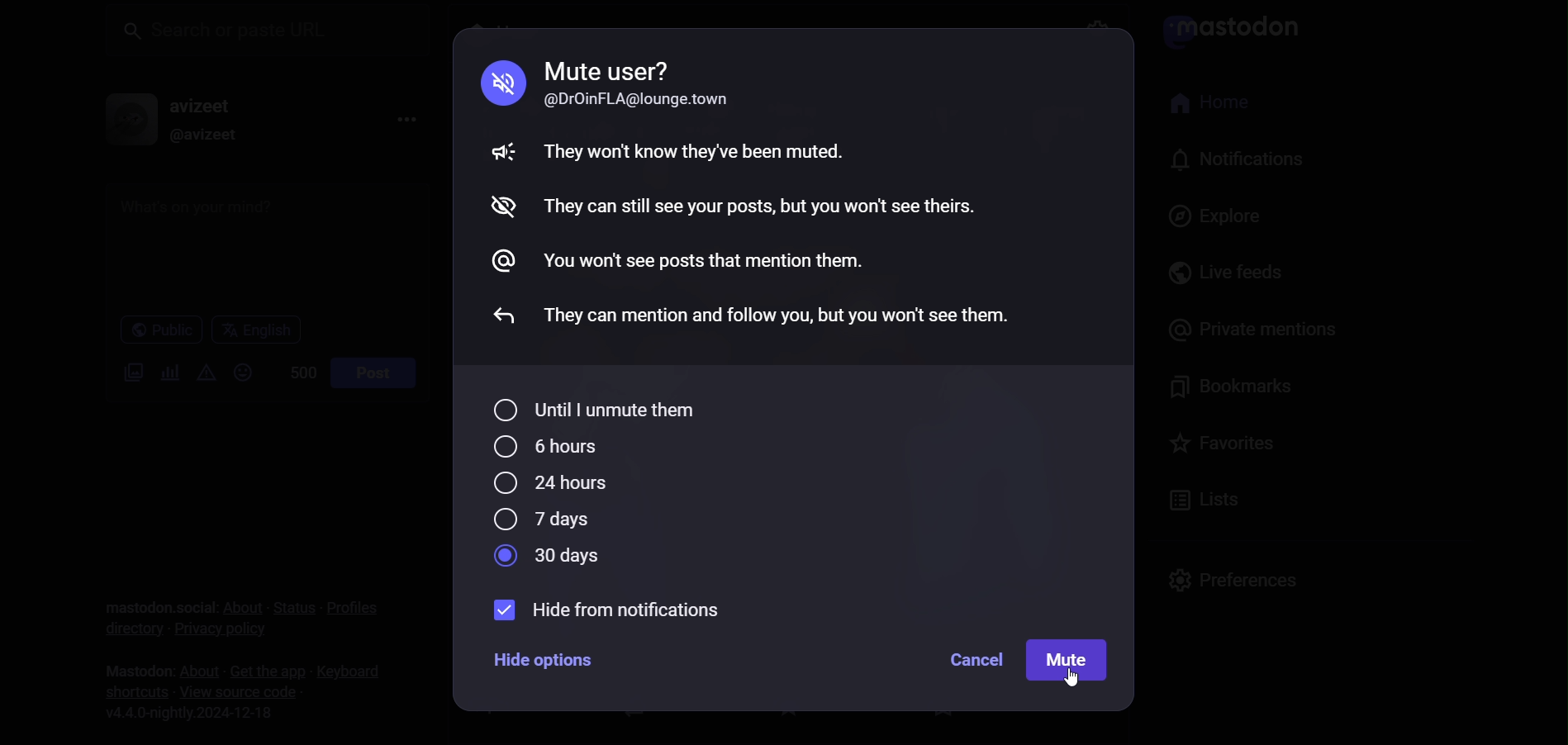 The height and width of the screenshot is (745, 1568). Describe the element at coordinates (590, 412) in the screenshot. I see `until I unmute them` at that location.